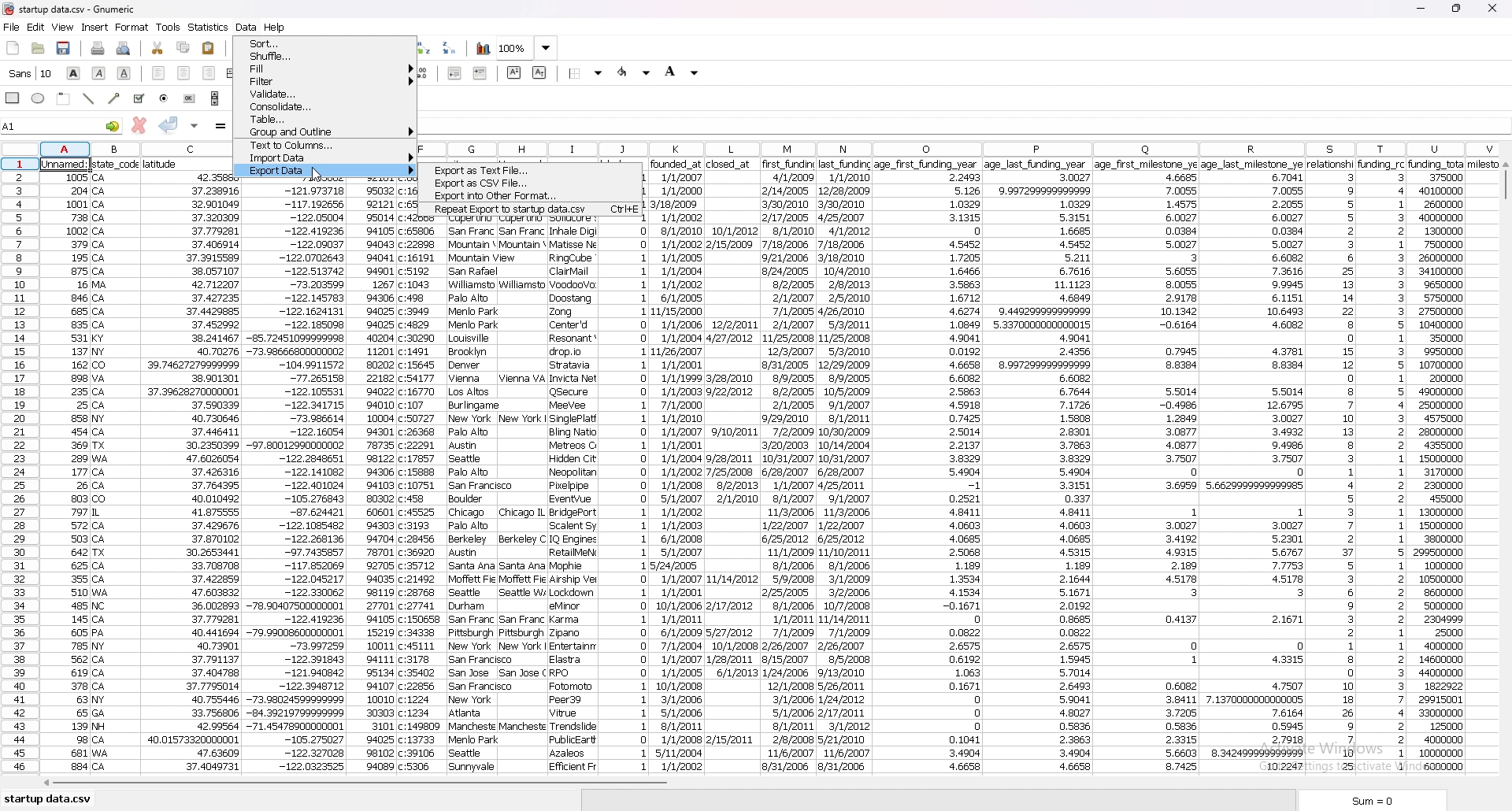 This screenshot has width=1512, height=811. What do you see at coordinates (190, 98) in the screenshot?
I see `button` at bounding box center [190, 98].